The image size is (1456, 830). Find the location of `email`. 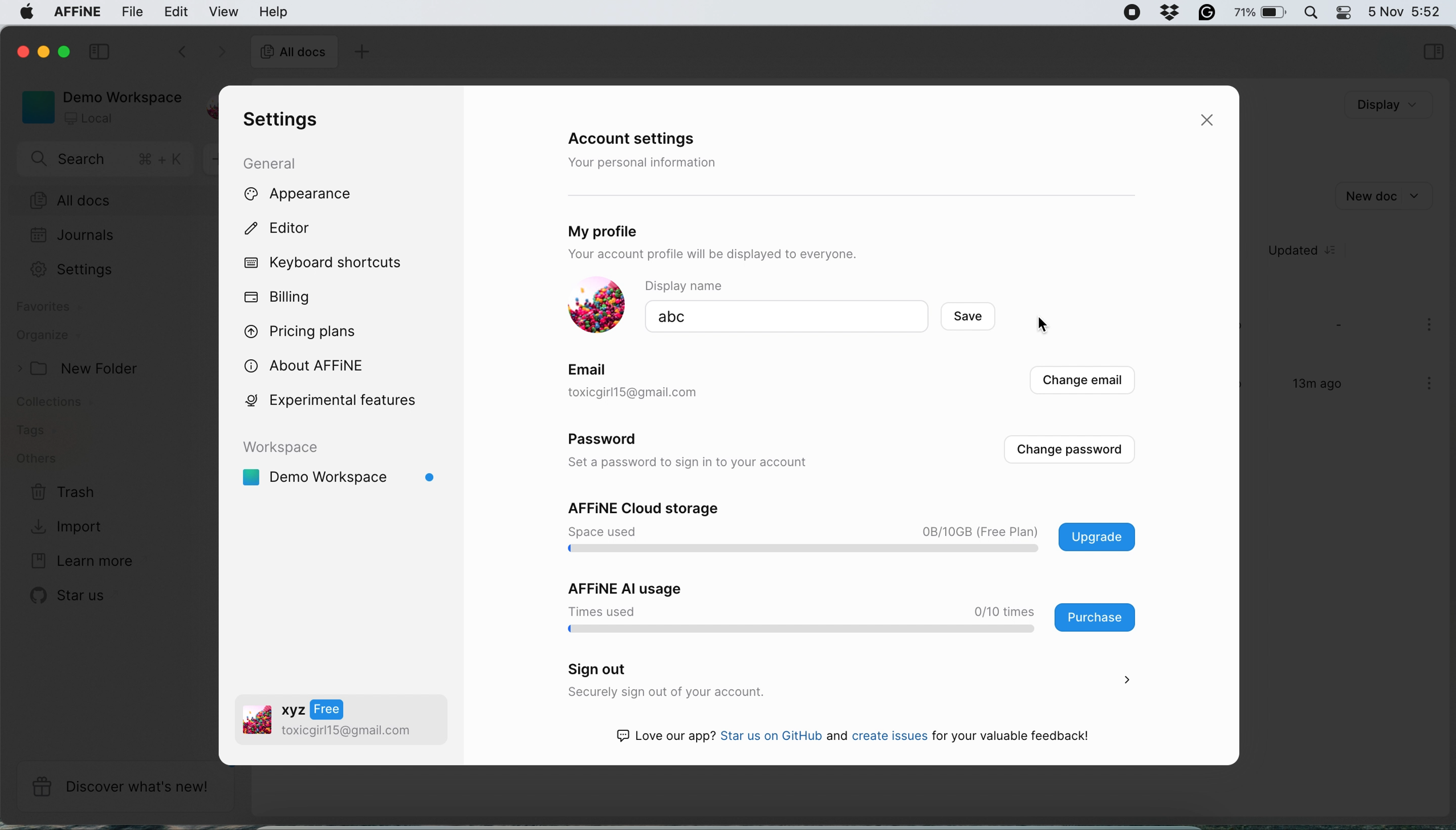

email is located at coordinates (590, 368).